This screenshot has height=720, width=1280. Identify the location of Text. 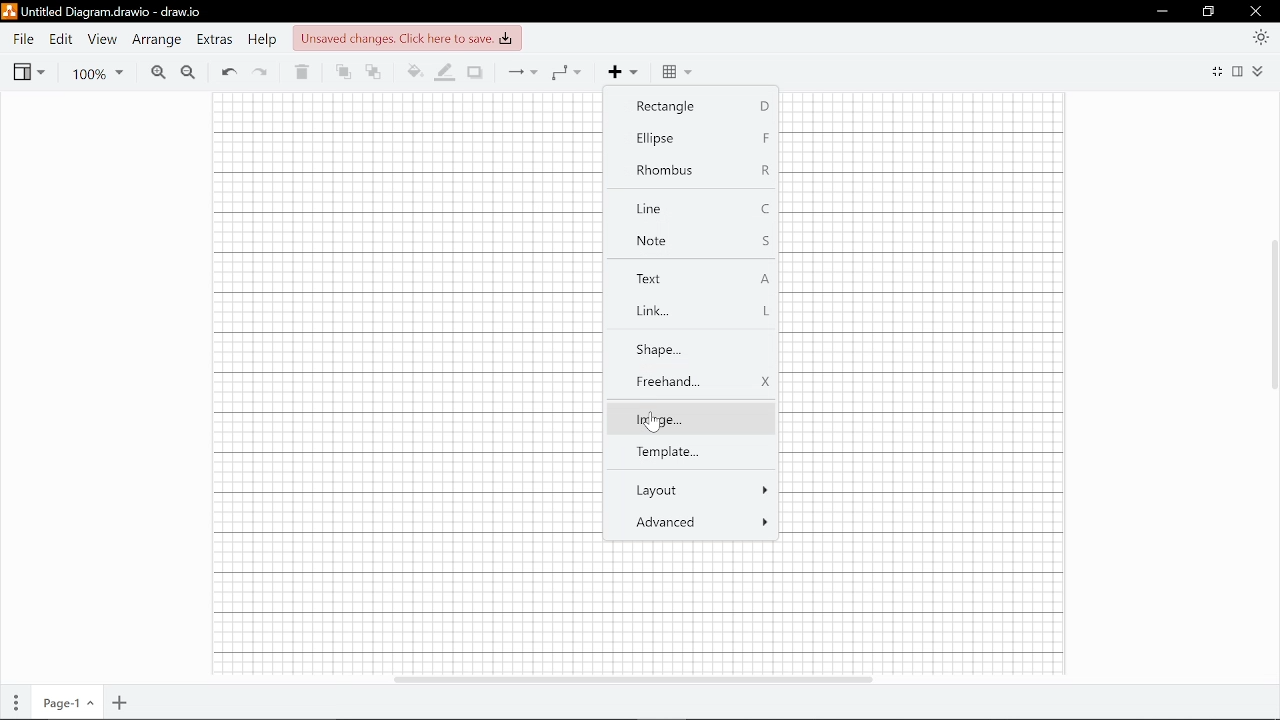
(692, 276).